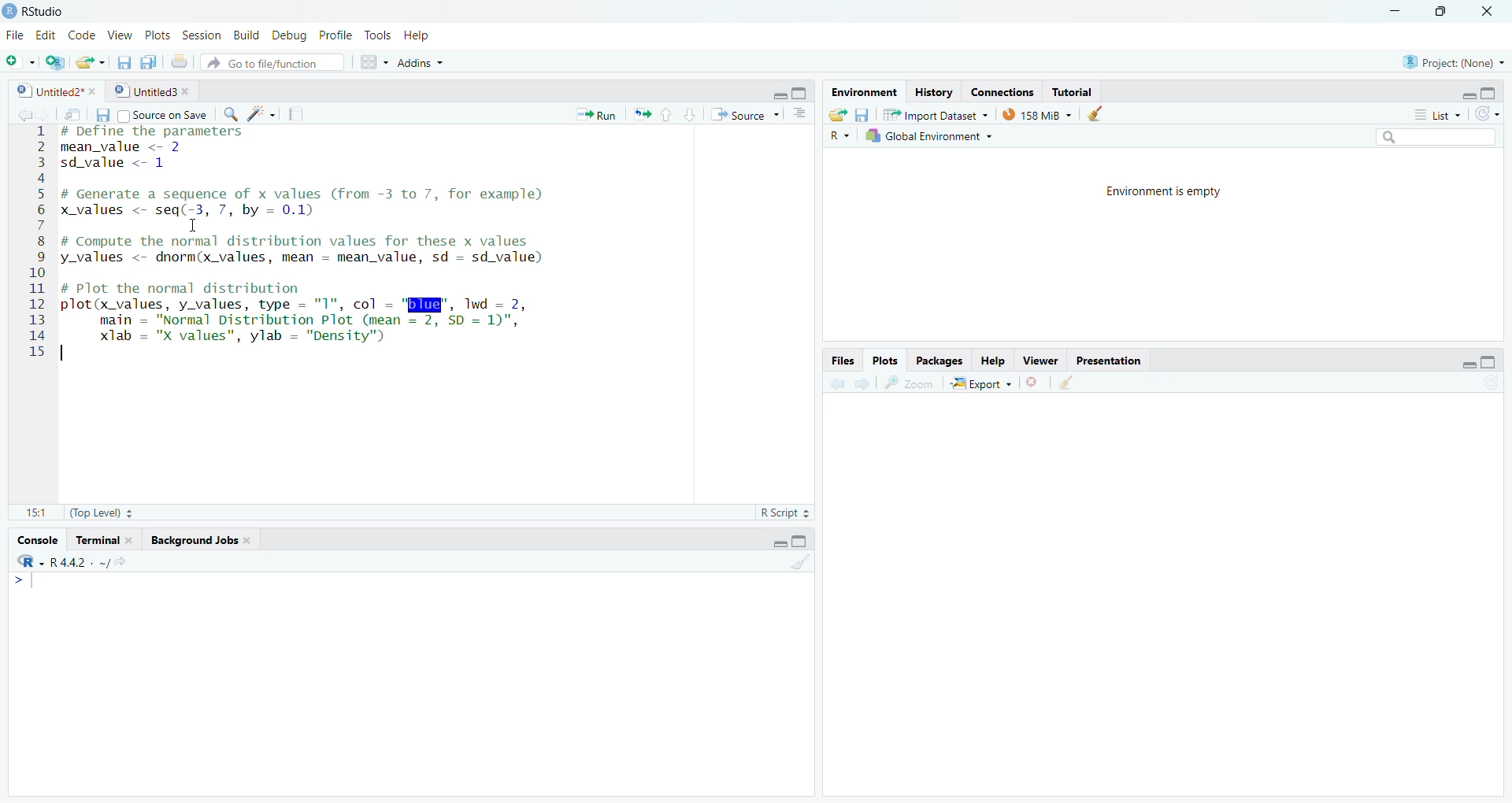  Describe the element at coordinates (783, 510) in the screenshot. I see `RScript ` at that location.